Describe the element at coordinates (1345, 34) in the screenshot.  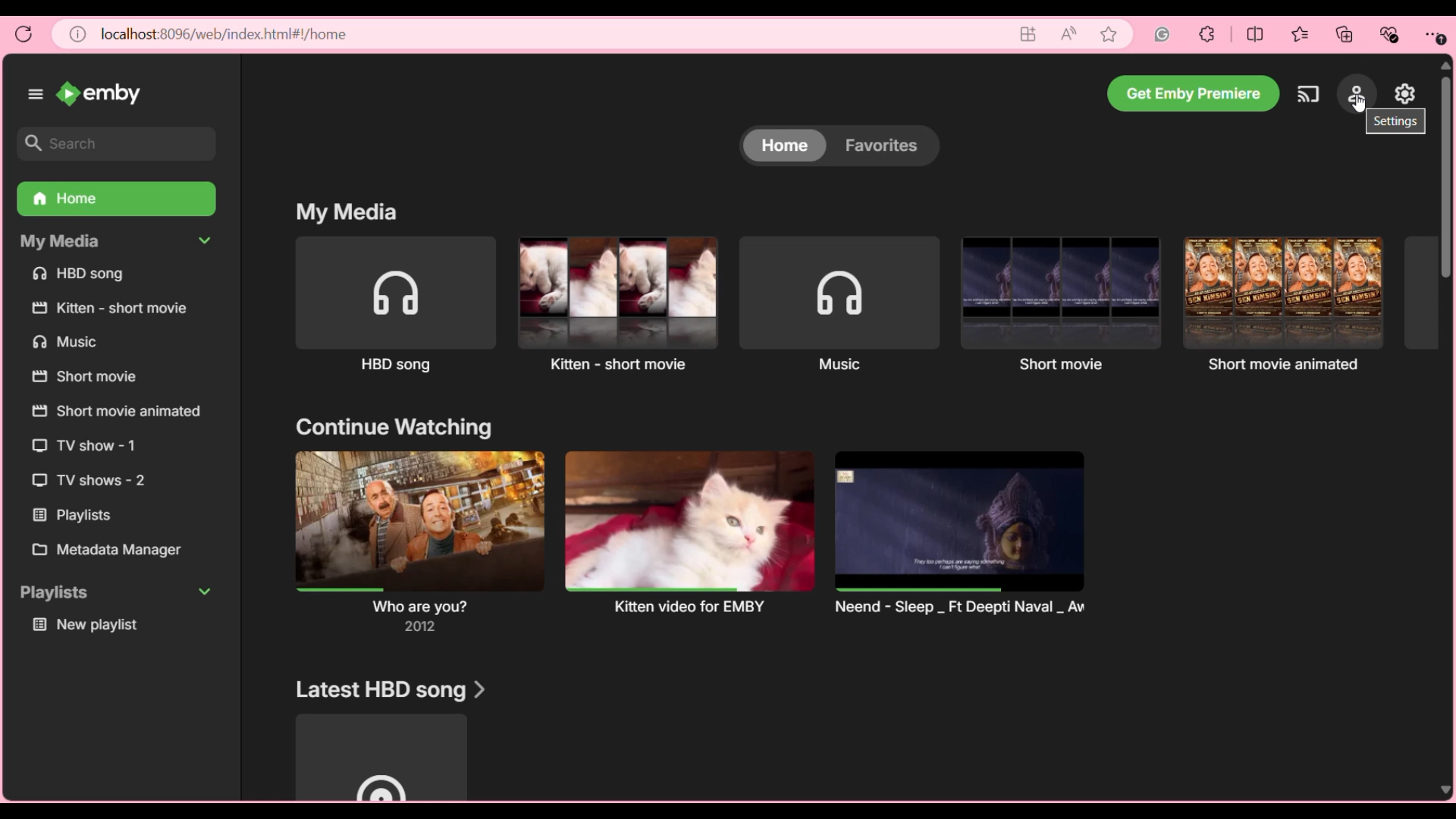
I see `Browser collections` at that location.